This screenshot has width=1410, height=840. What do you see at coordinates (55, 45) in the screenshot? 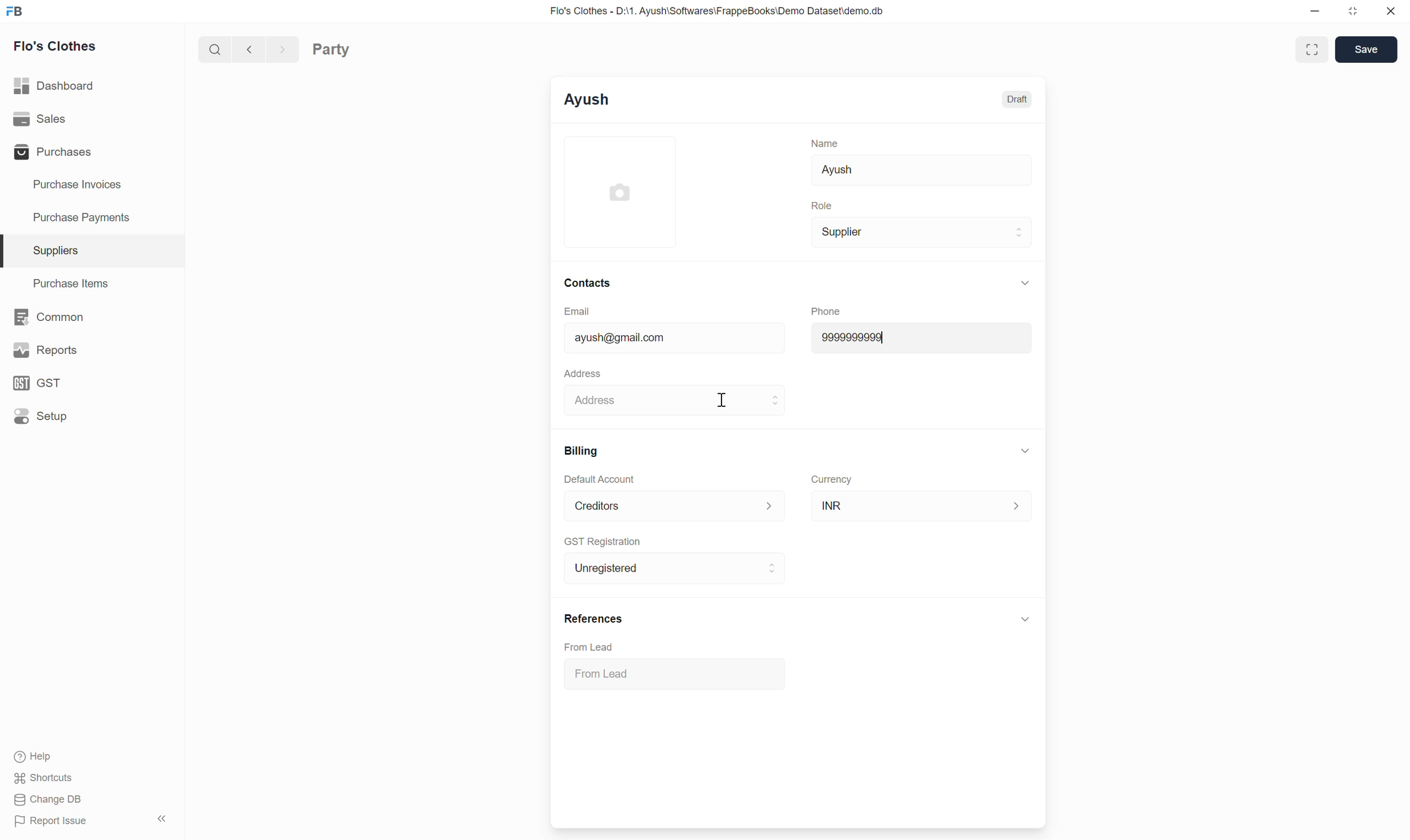
I see `Flo's Clothes` at bounding box center [55, 45].